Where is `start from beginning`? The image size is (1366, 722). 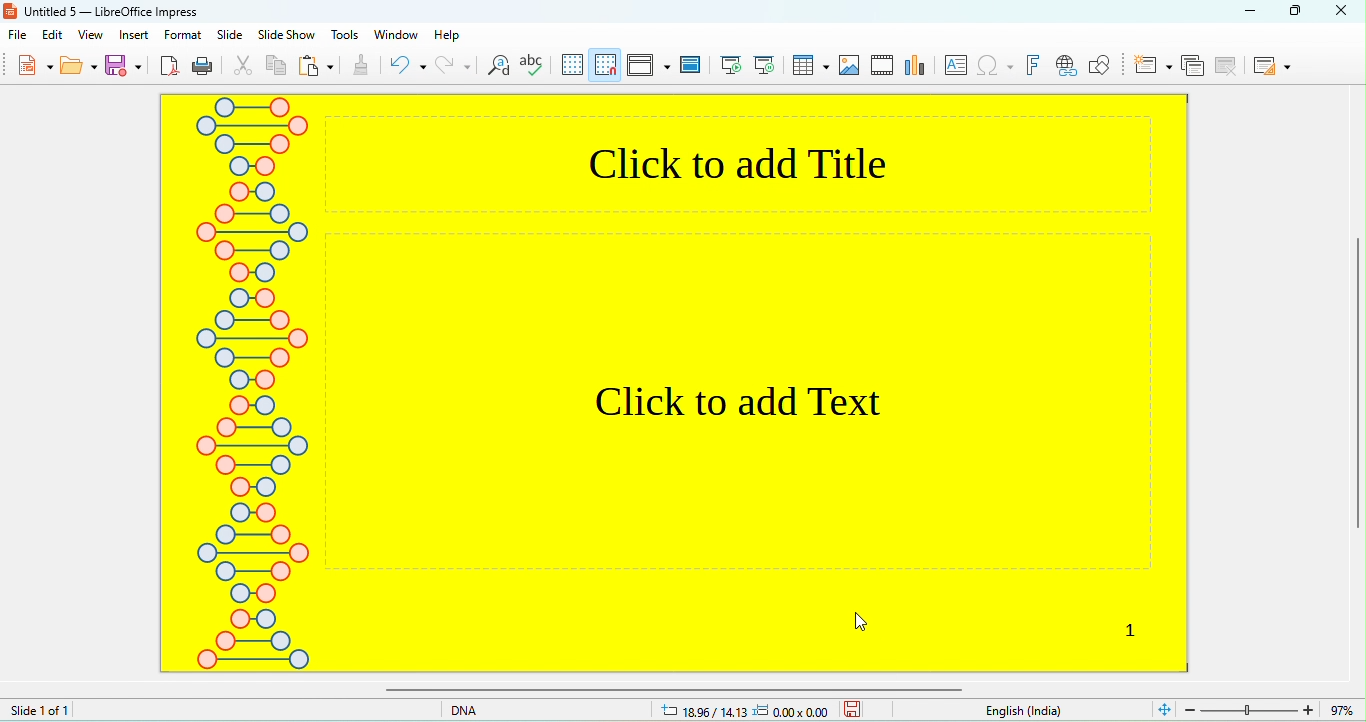 start from beginning is located at coordinates (732, 65).